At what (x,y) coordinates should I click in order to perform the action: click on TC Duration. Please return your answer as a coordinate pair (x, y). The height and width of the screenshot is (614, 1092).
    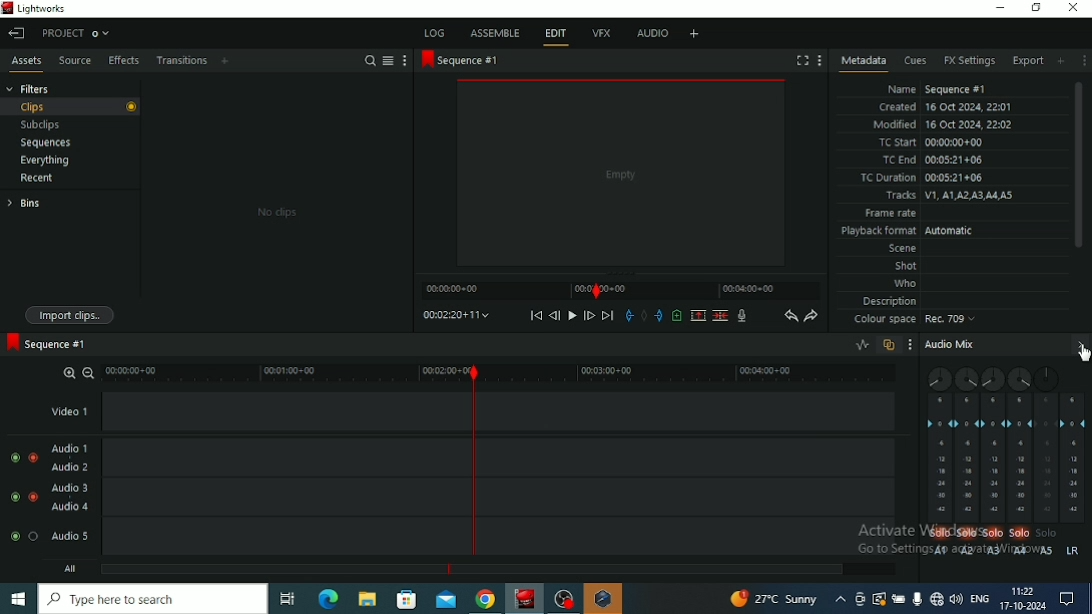
    Looking at the image, I should click on (923, 178).